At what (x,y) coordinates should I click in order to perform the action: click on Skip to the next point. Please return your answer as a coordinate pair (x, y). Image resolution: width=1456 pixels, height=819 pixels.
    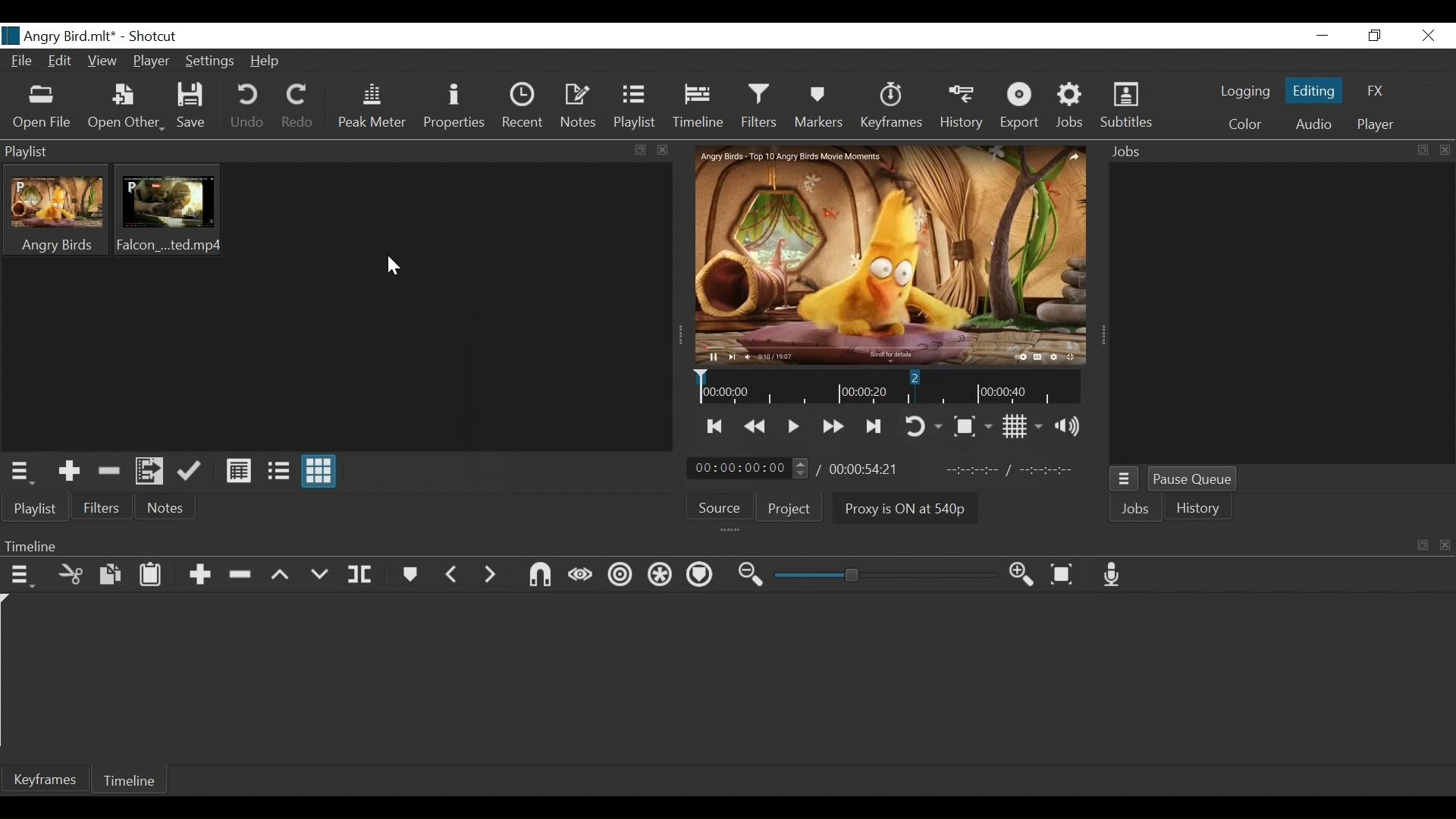
    Looking at the image, I should click on (872, 428).